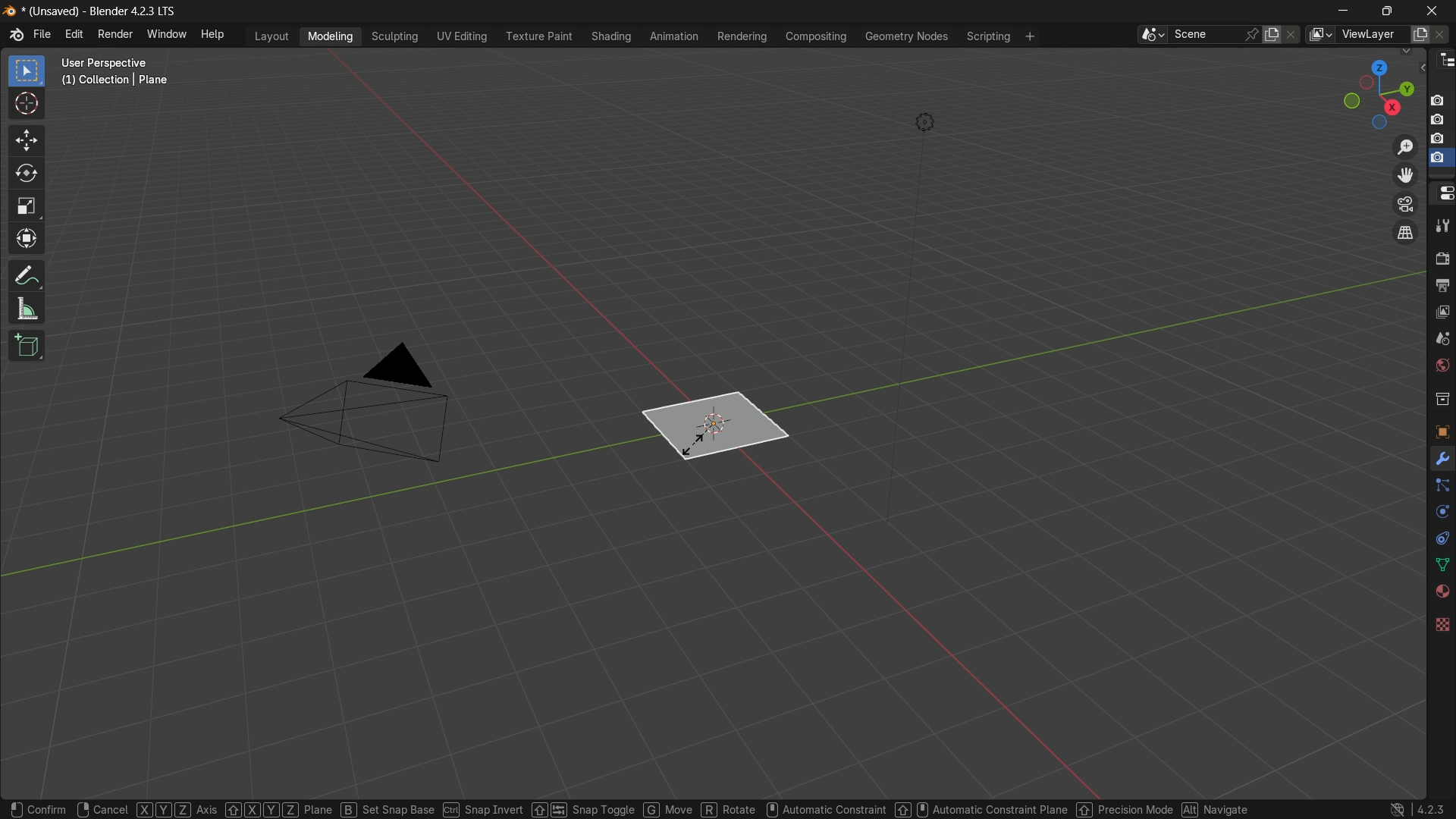  Describe the element at coordinates (1379, 92) in the screenshot. I see `rotate or preset viewpoint` at that location.